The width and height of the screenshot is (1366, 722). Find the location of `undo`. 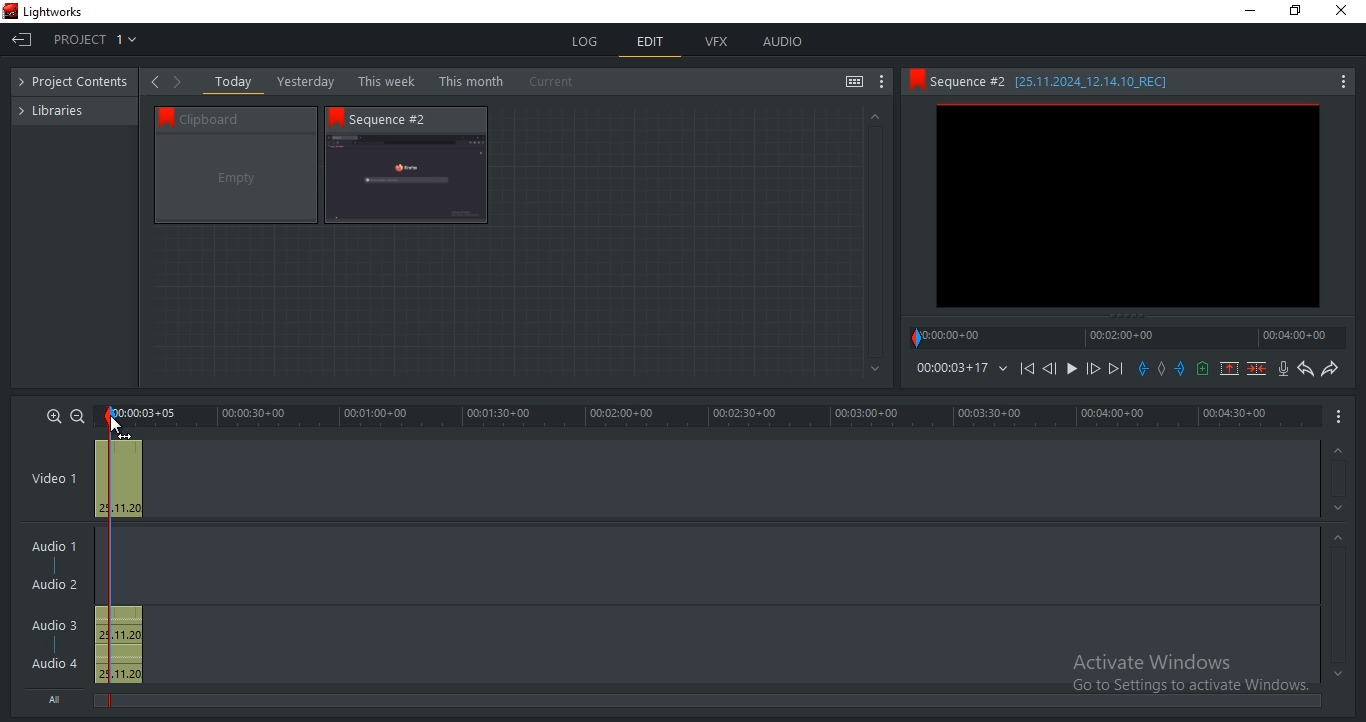

undo is located at coordinates (1306, 369).